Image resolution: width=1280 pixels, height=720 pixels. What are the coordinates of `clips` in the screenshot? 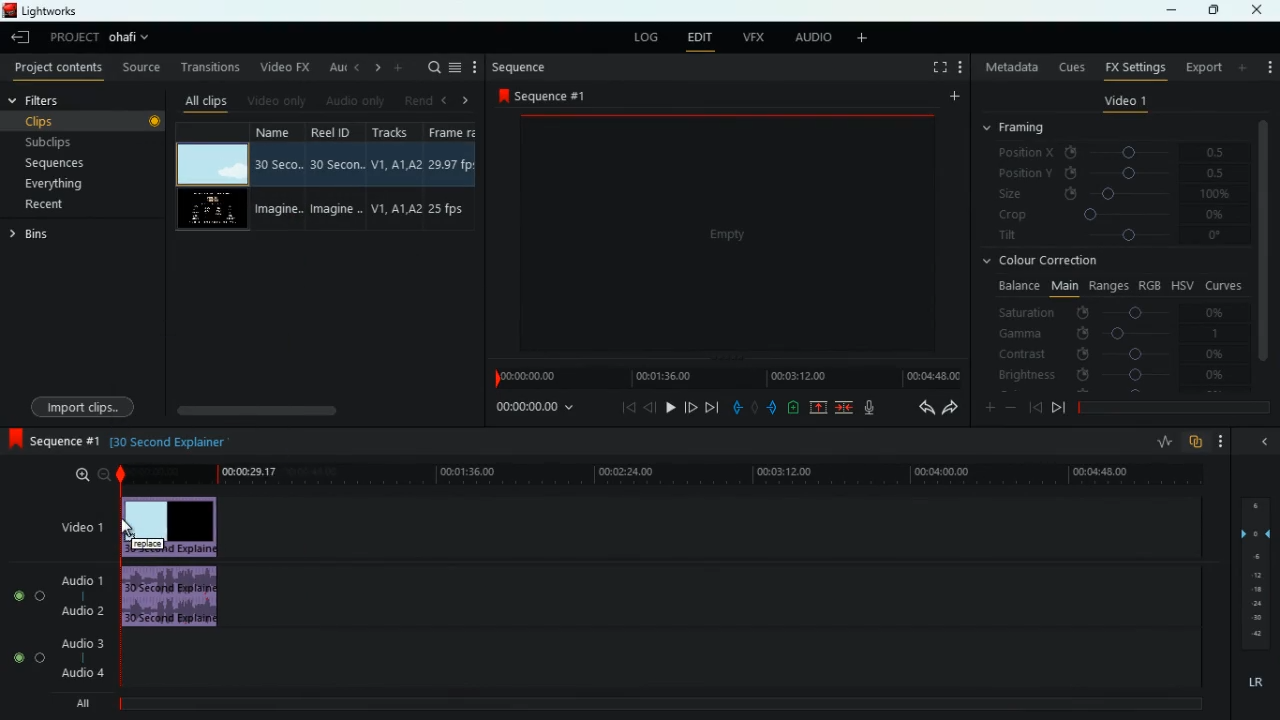 It's located at (74, 121).